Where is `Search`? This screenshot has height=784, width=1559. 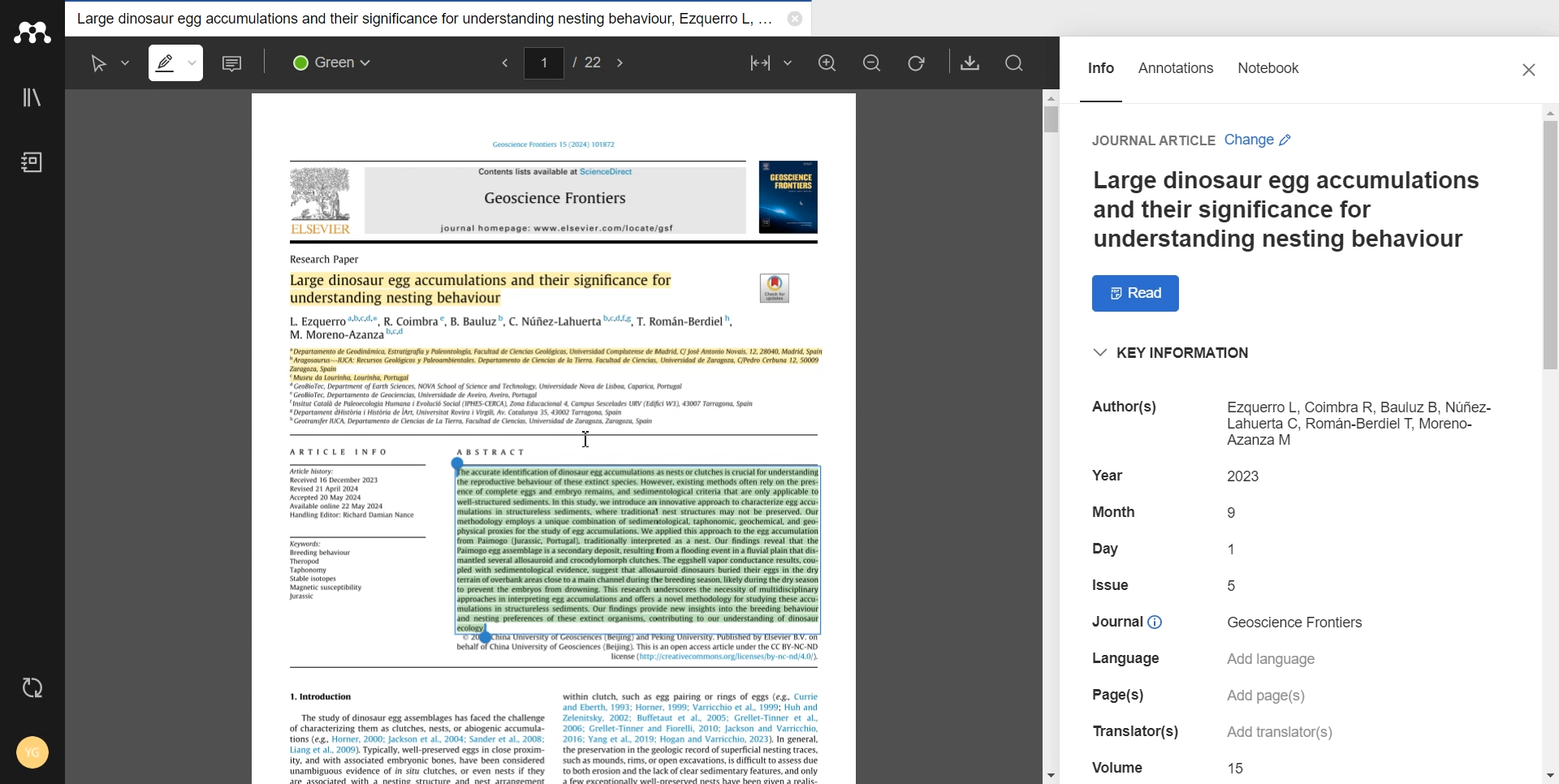
Search is located at coordinates (1017, 64).